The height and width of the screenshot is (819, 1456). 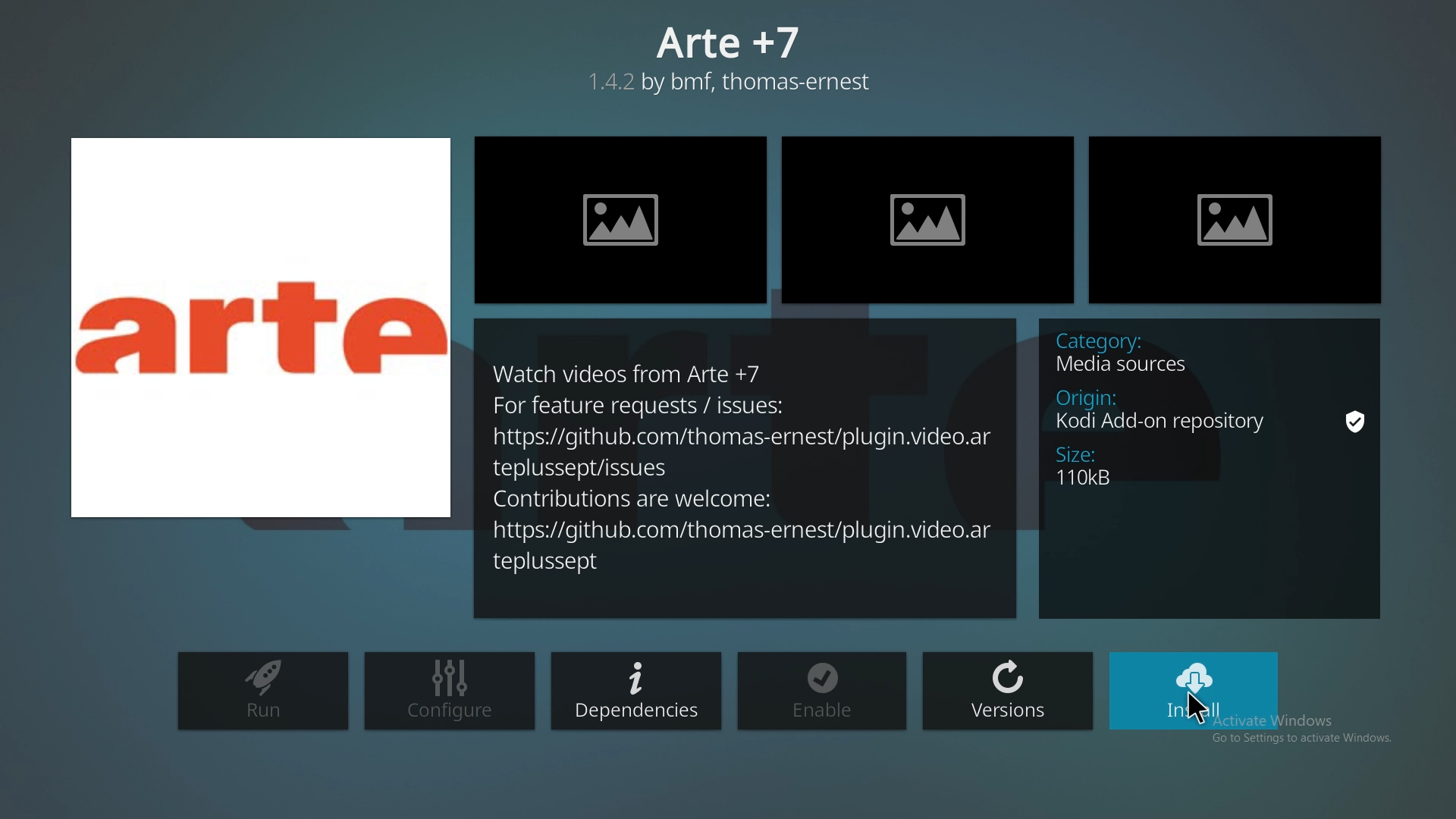 What do you see at coordinates (637, 691) in the screenshot?
I see `dependencies` at bounding box center [637, 691].